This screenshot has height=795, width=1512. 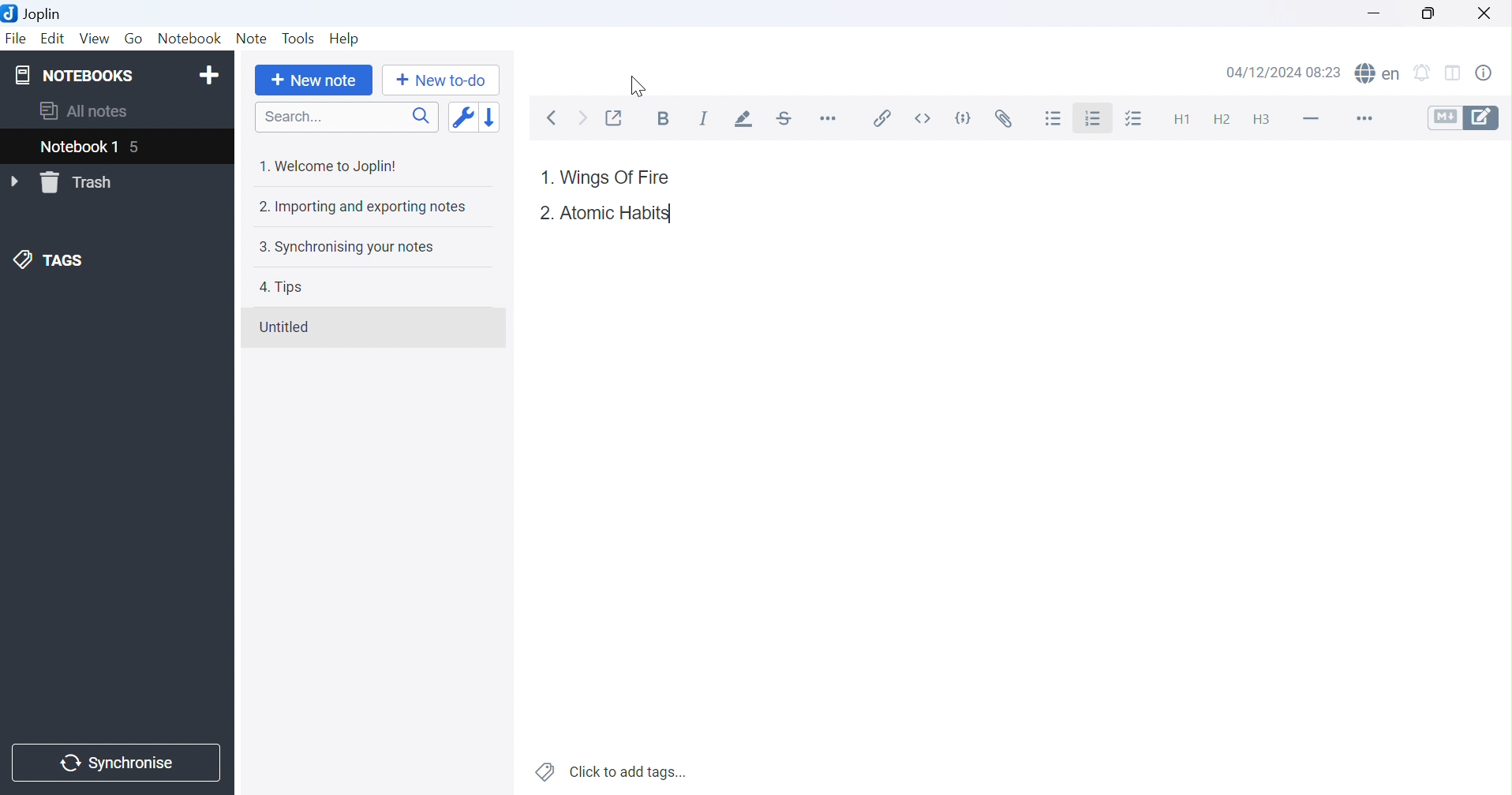 What do you see at coordinates (462, 118) in the screenshot?
I see `Toggle reverse order field` at bounding box center [462, 118].